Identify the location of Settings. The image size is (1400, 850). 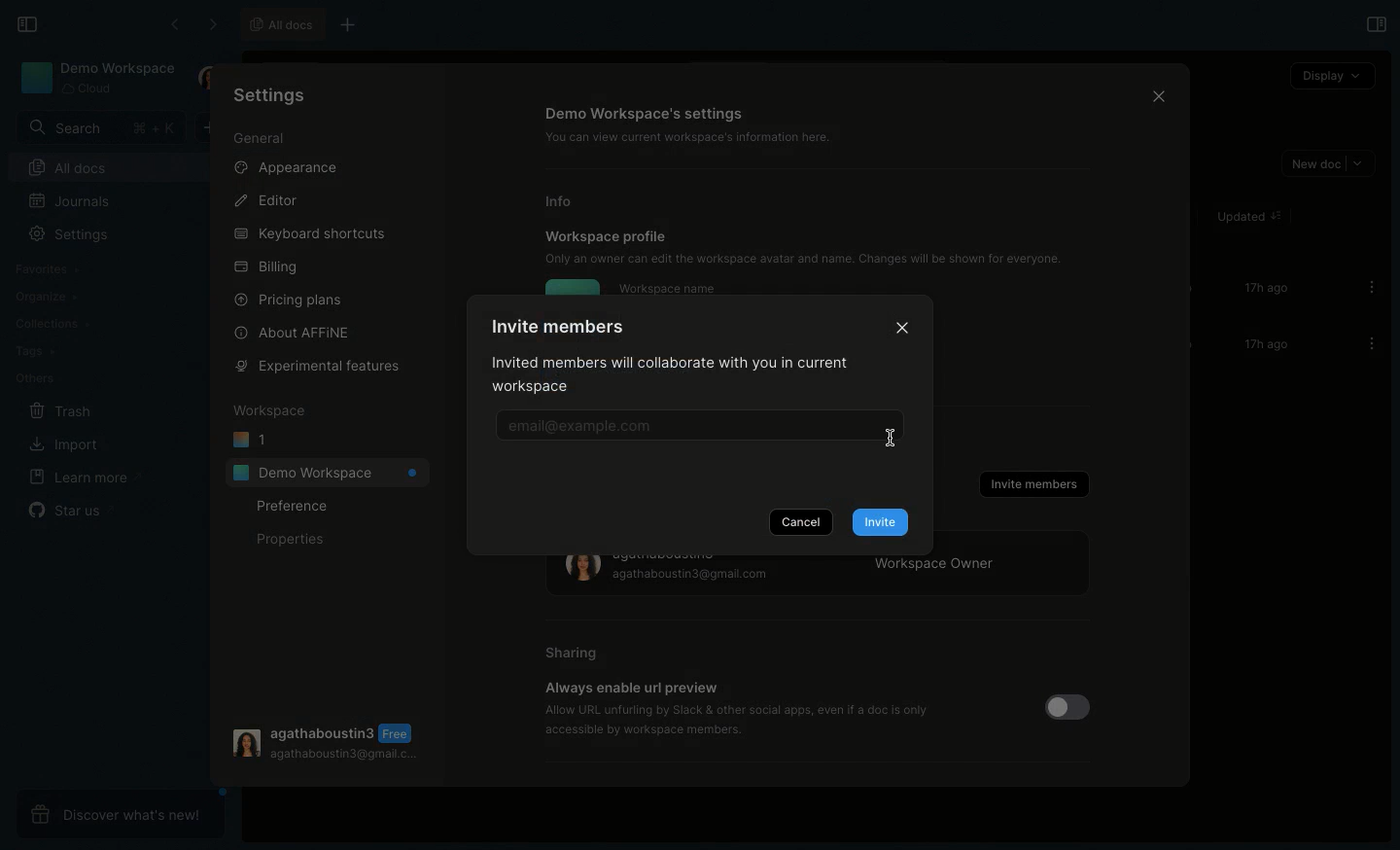
(71, 233).